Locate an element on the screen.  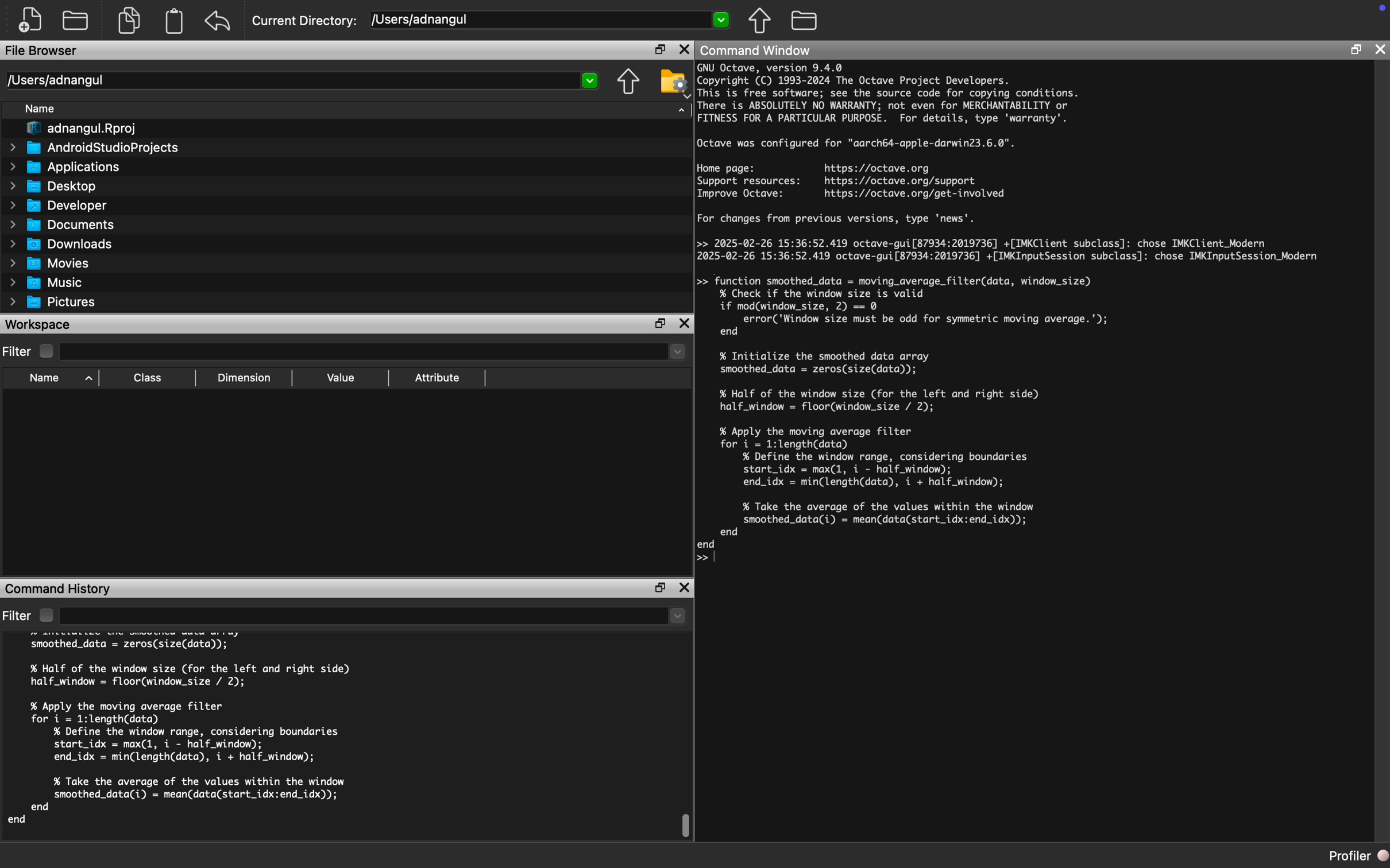
/Users/adnangul  is located at coordinates (548, 21).